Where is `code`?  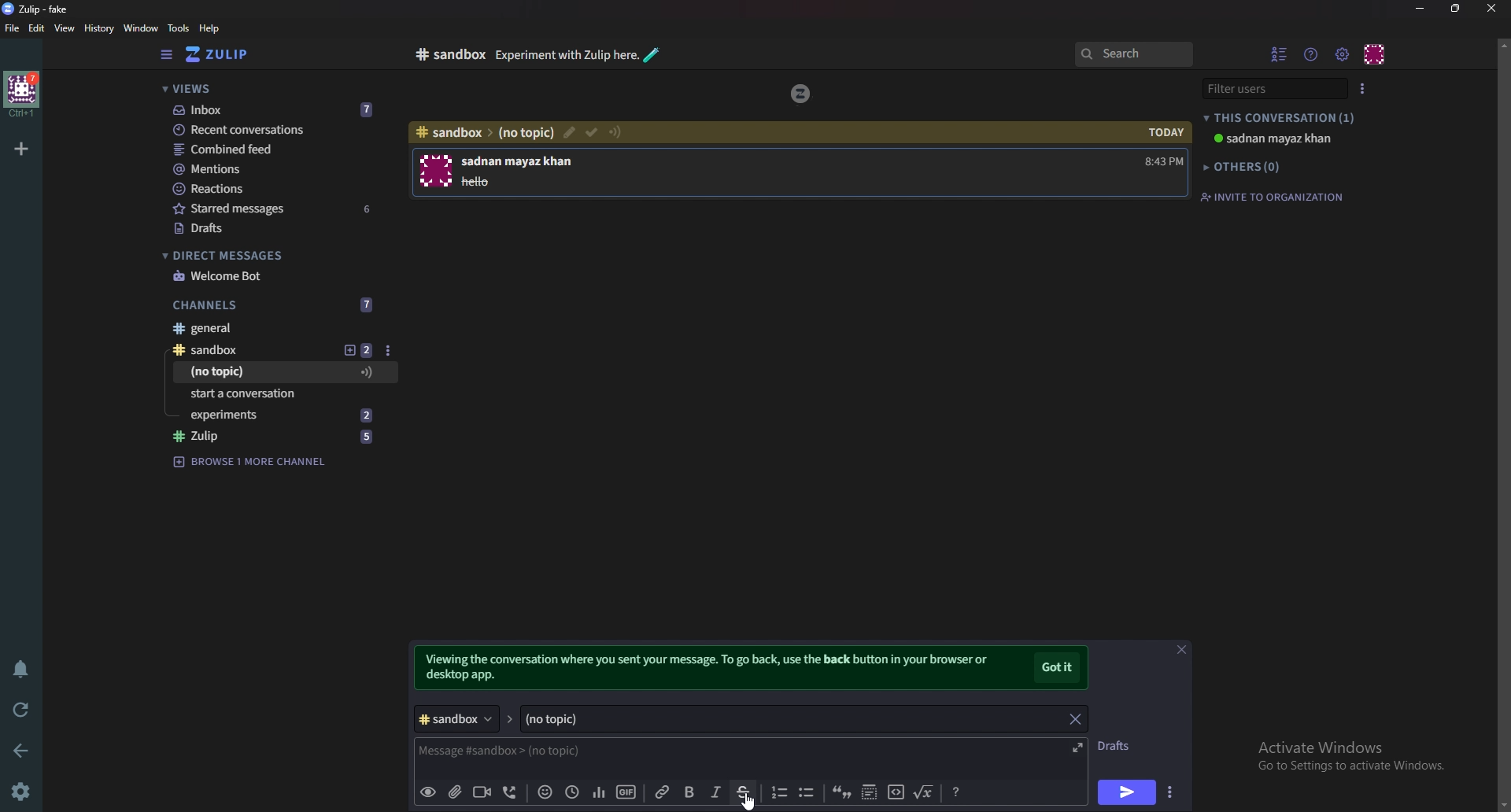
code is located at coordinates (893, 793).